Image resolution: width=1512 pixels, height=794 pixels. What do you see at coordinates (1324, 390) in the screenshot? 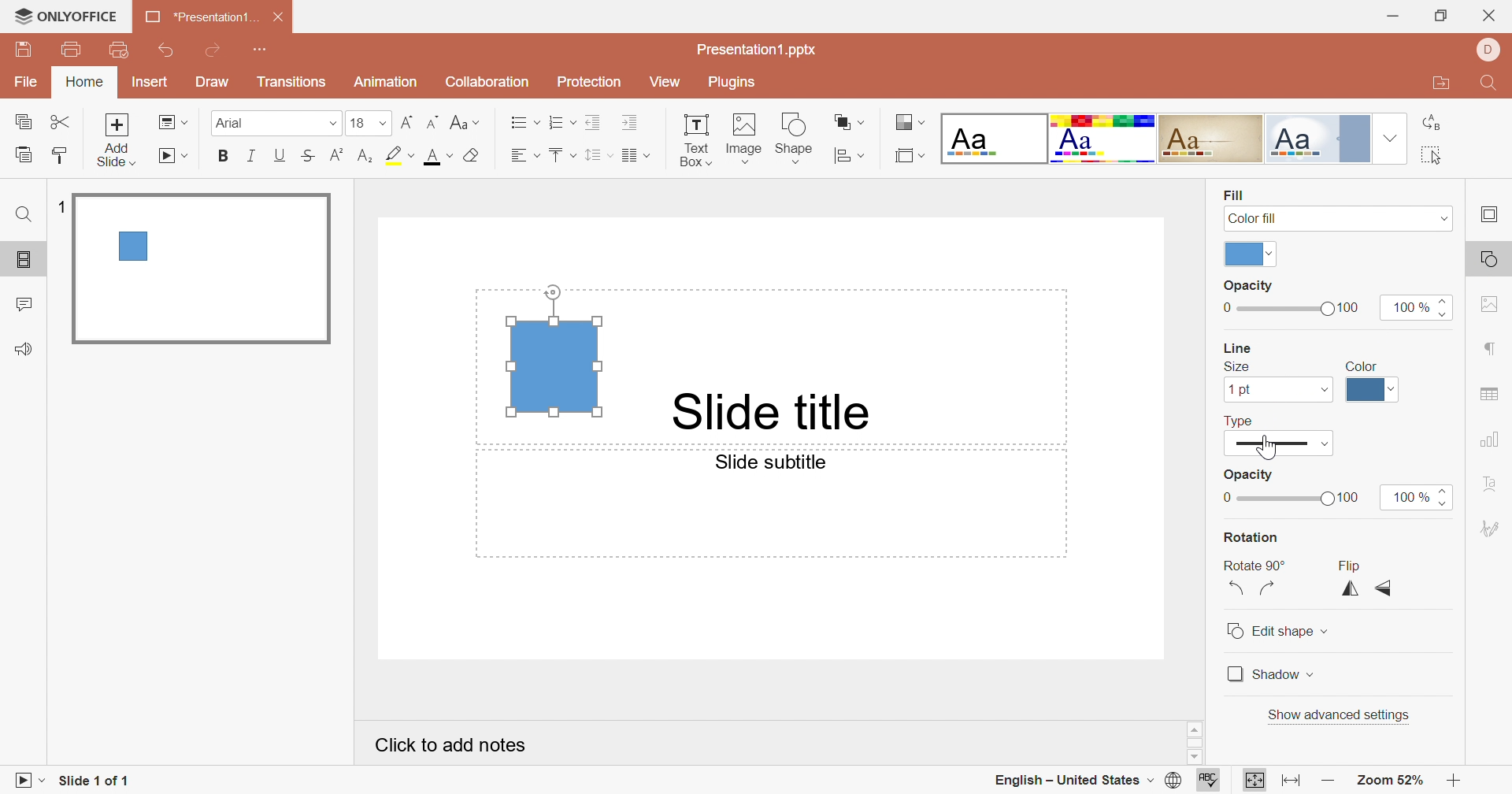
I see `Drop Down` at bounding box center [1324, 390].